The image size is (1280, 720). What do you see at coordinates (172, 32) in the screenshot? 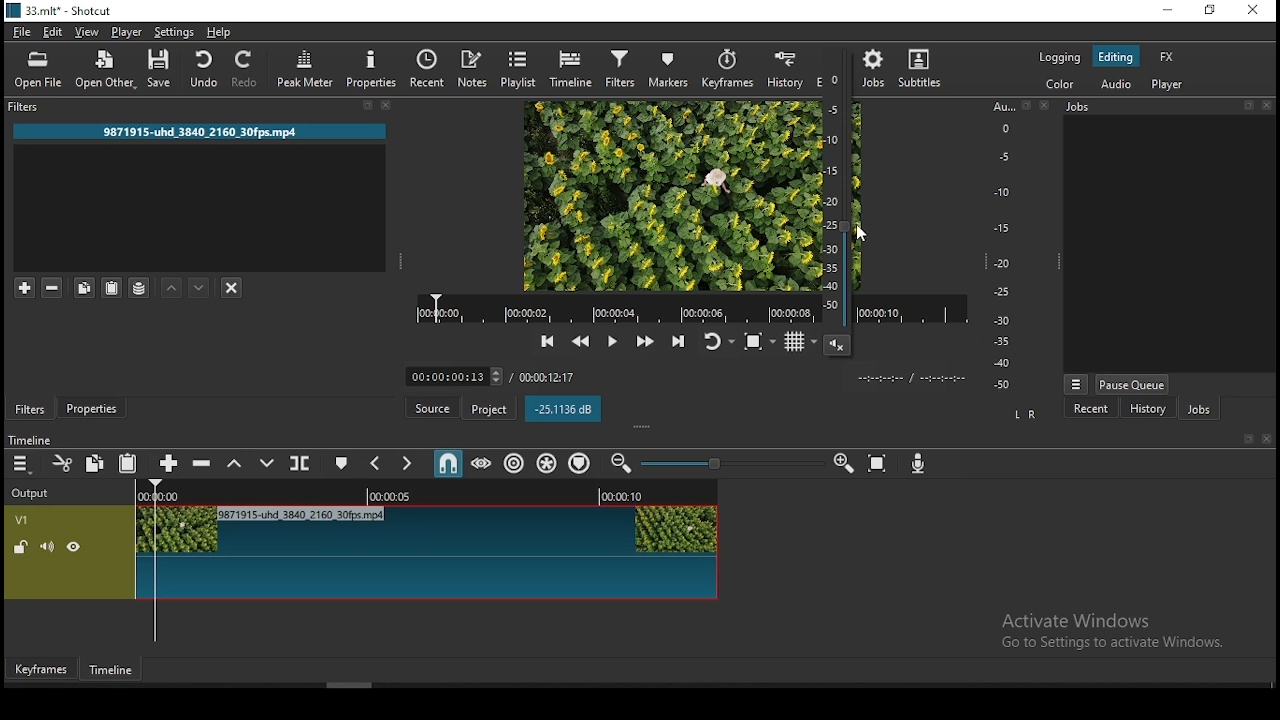
I see `settings` at bounding box center [172, 32].